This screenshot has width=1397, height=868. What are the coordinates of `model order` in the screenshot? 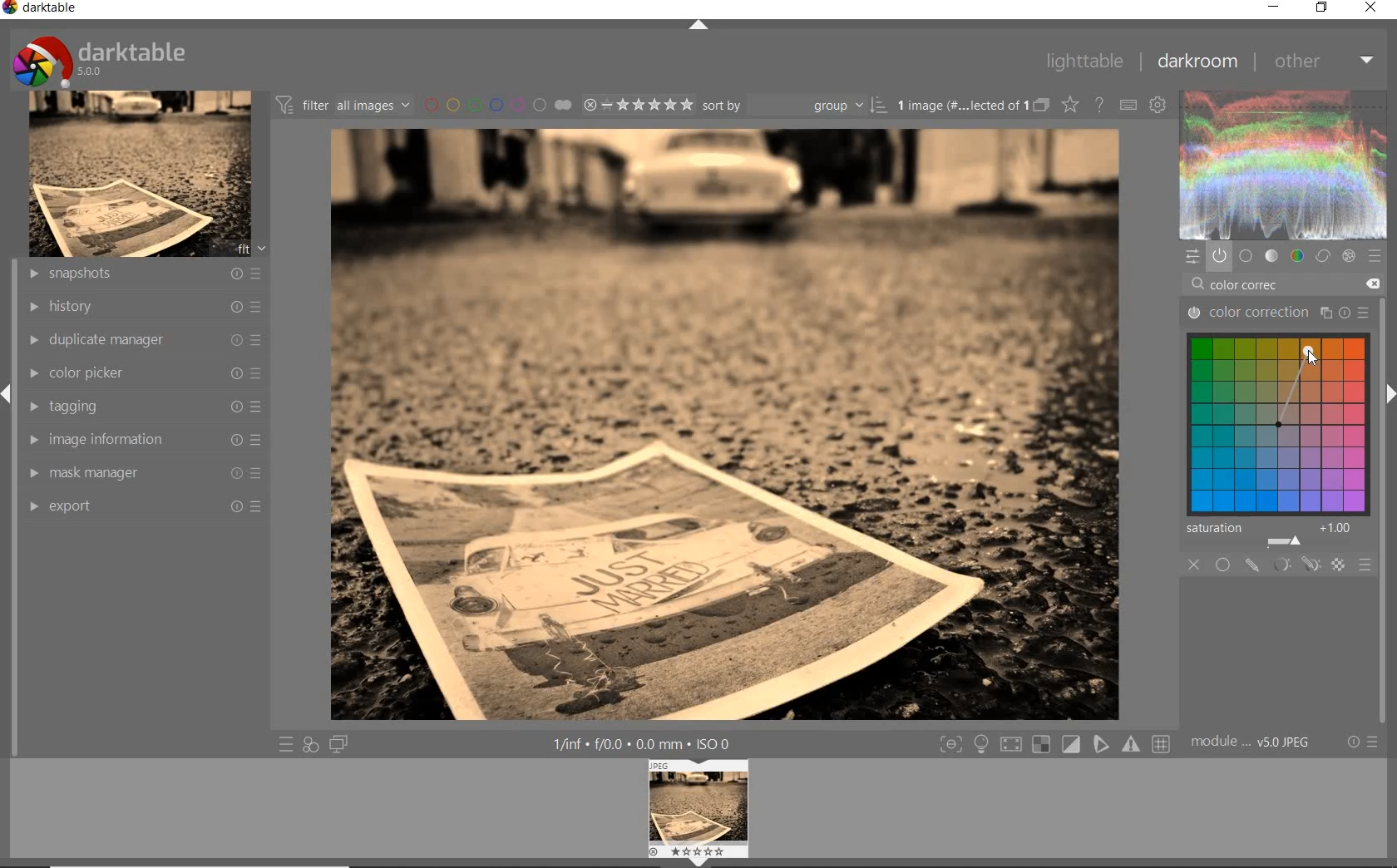 It's located at (1251, 743).